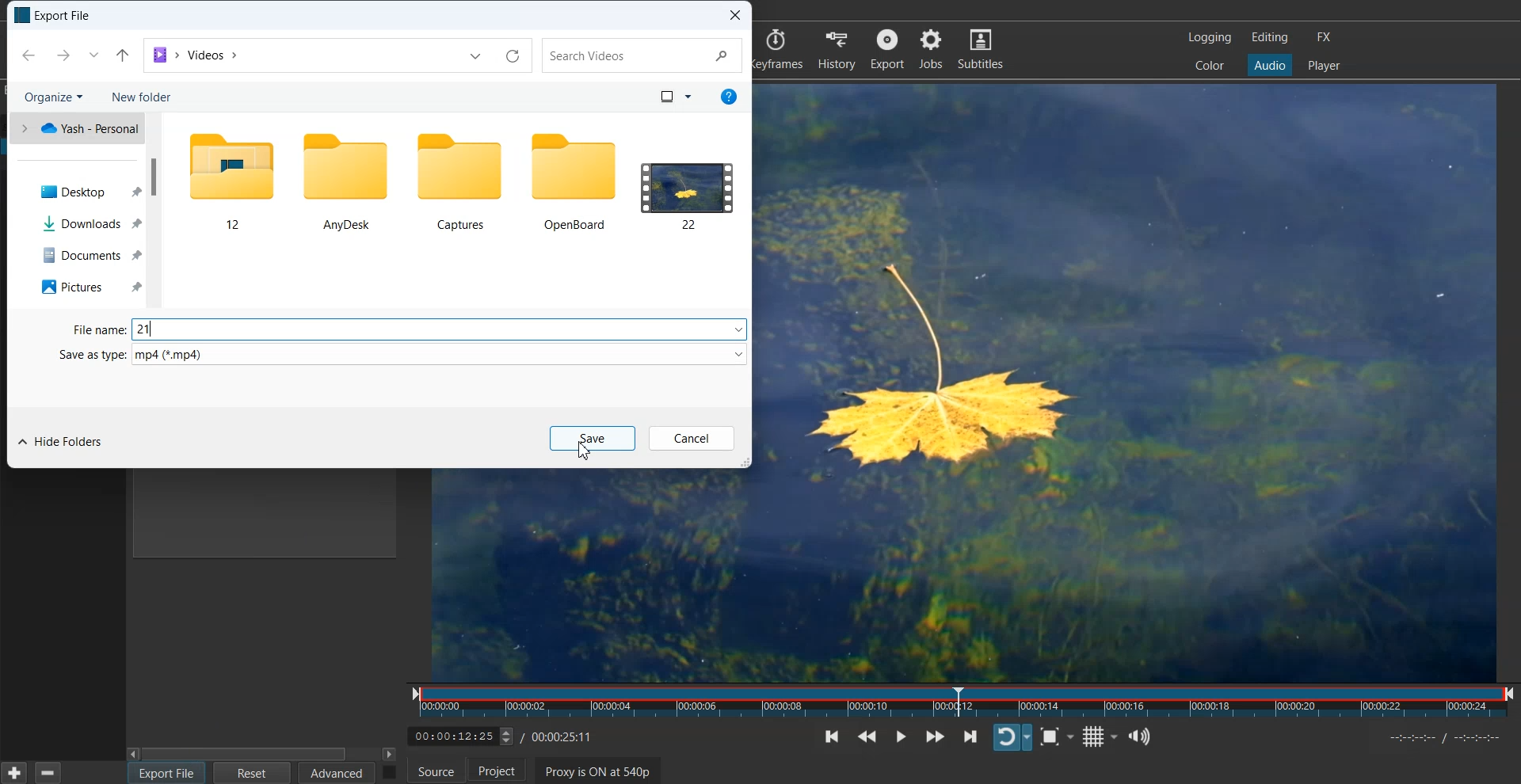 The image size is (1521, 784). What do you see at coordinates (88, 327) in the screenshot?
I see `File Type` at bounding box center [88, 327].